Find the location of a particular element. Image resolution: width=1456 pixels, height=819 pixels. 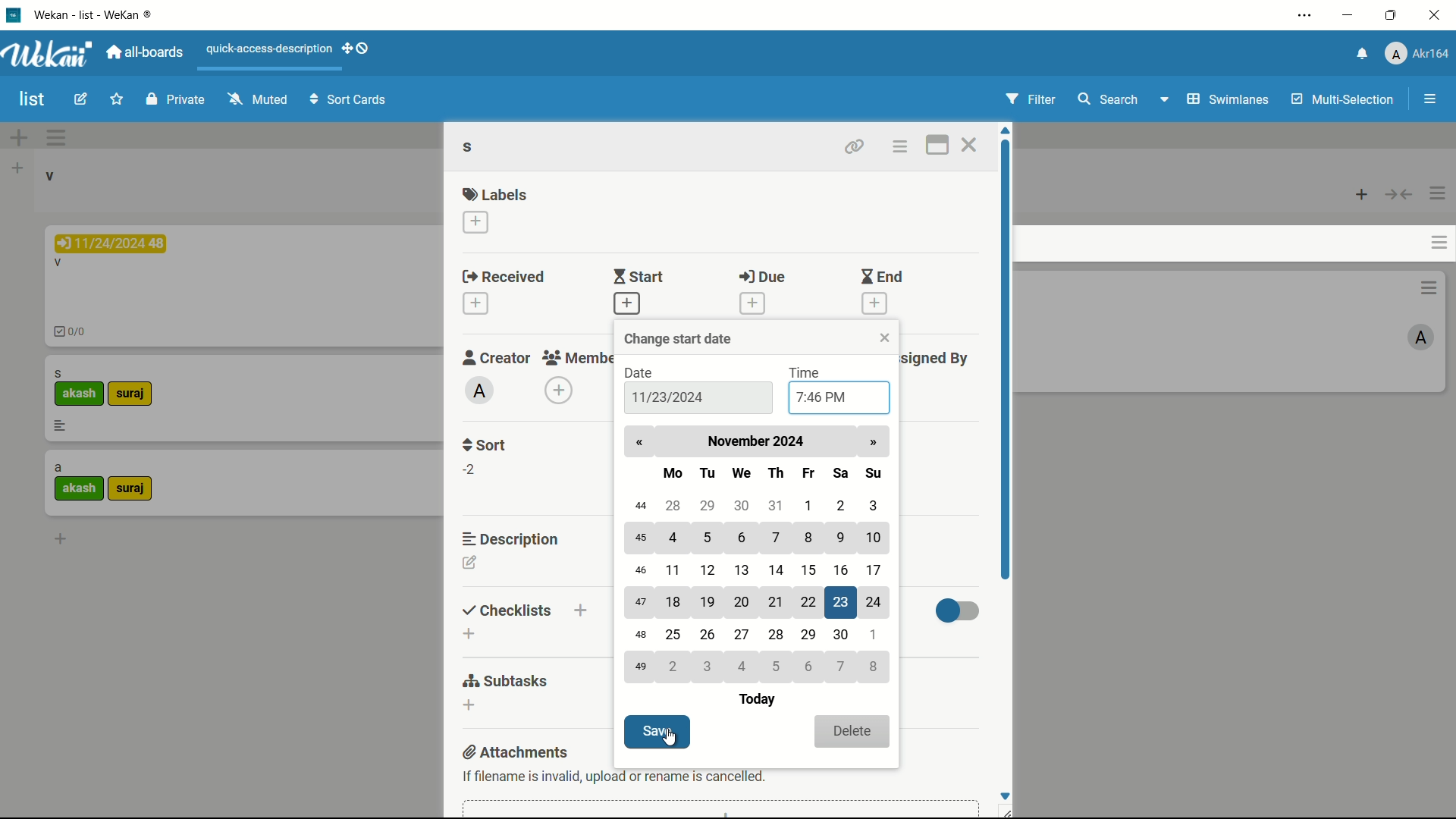

time is located at coordinates (807, 375).